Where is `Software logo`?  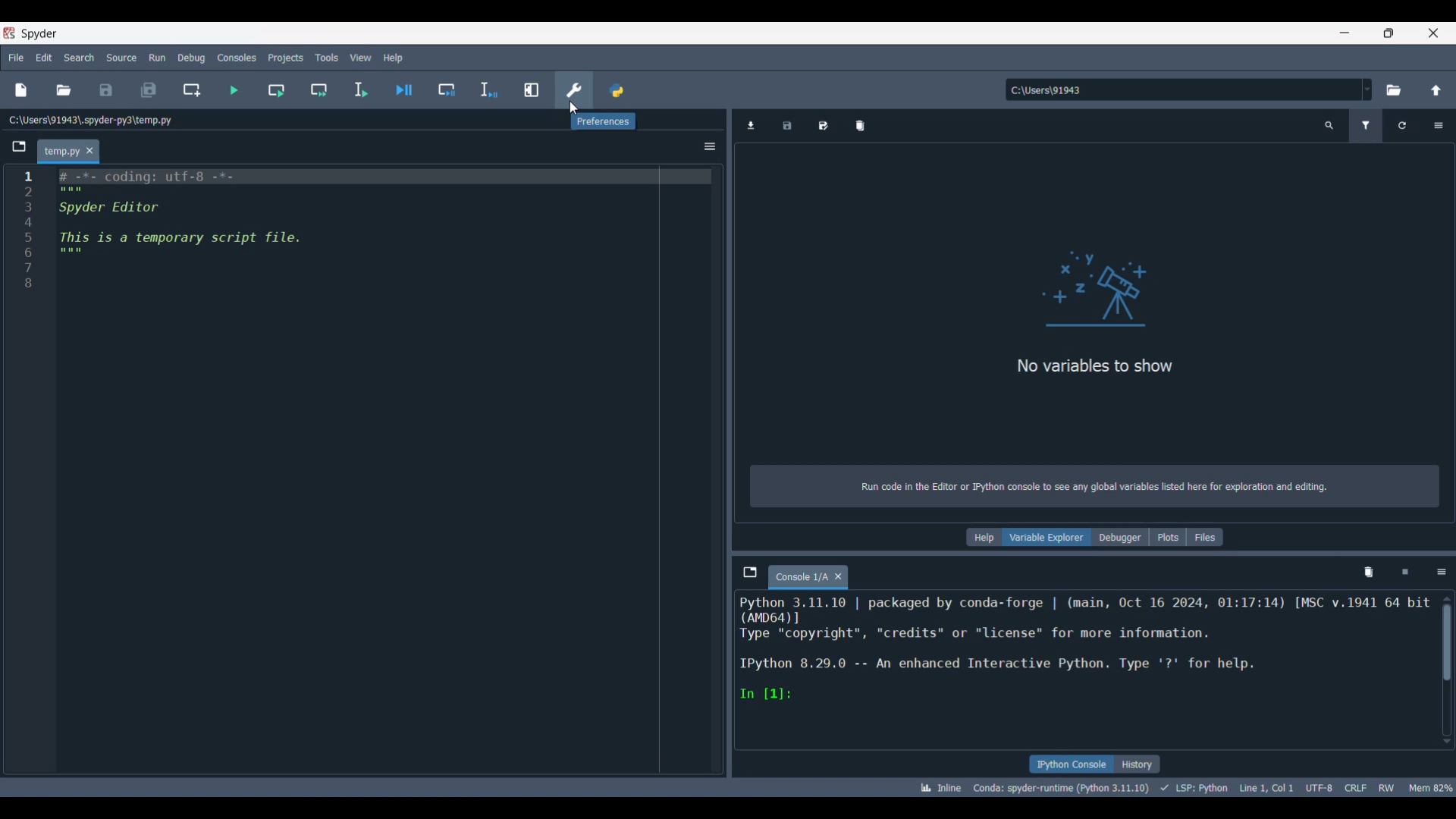
Software logo is located at coordinates (9, 33).